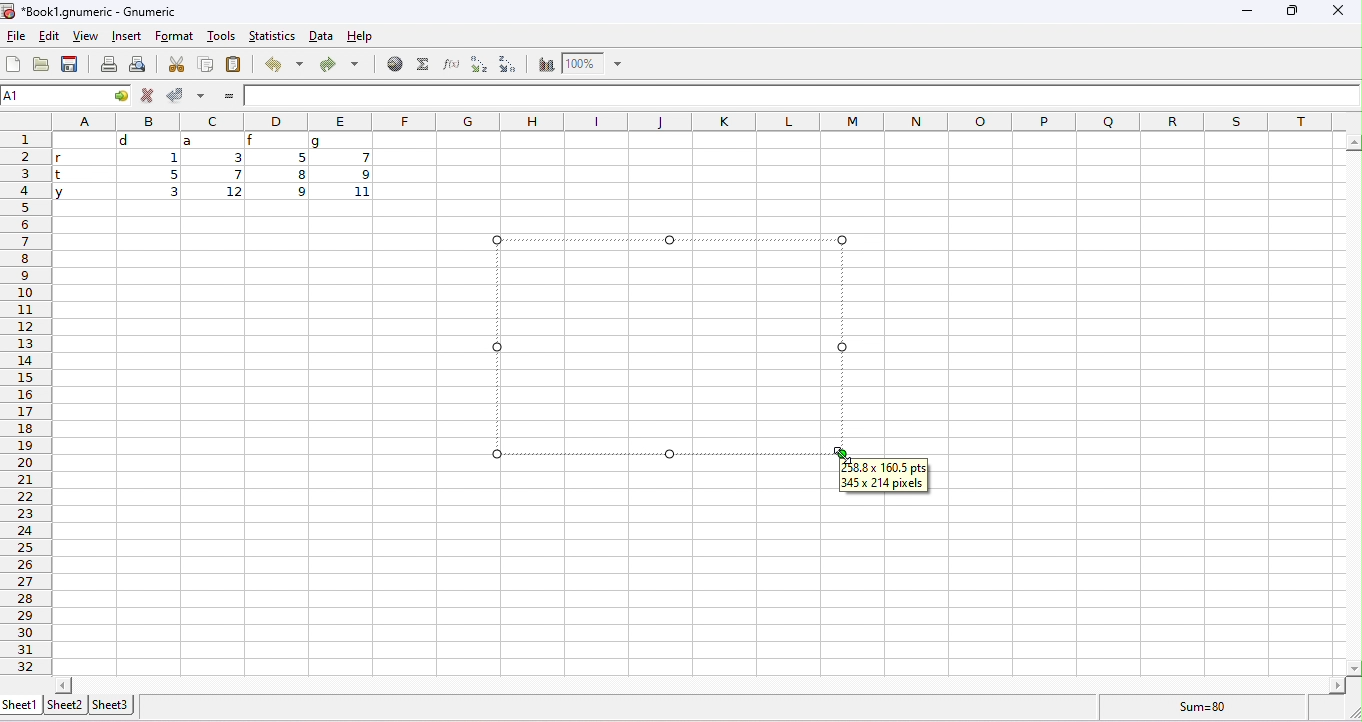 This screenshot has height=722, width=1362. What do you see at coordinates (65, 705) in the screenshot?
I see `sheet2` at bounding box center [65, 705].